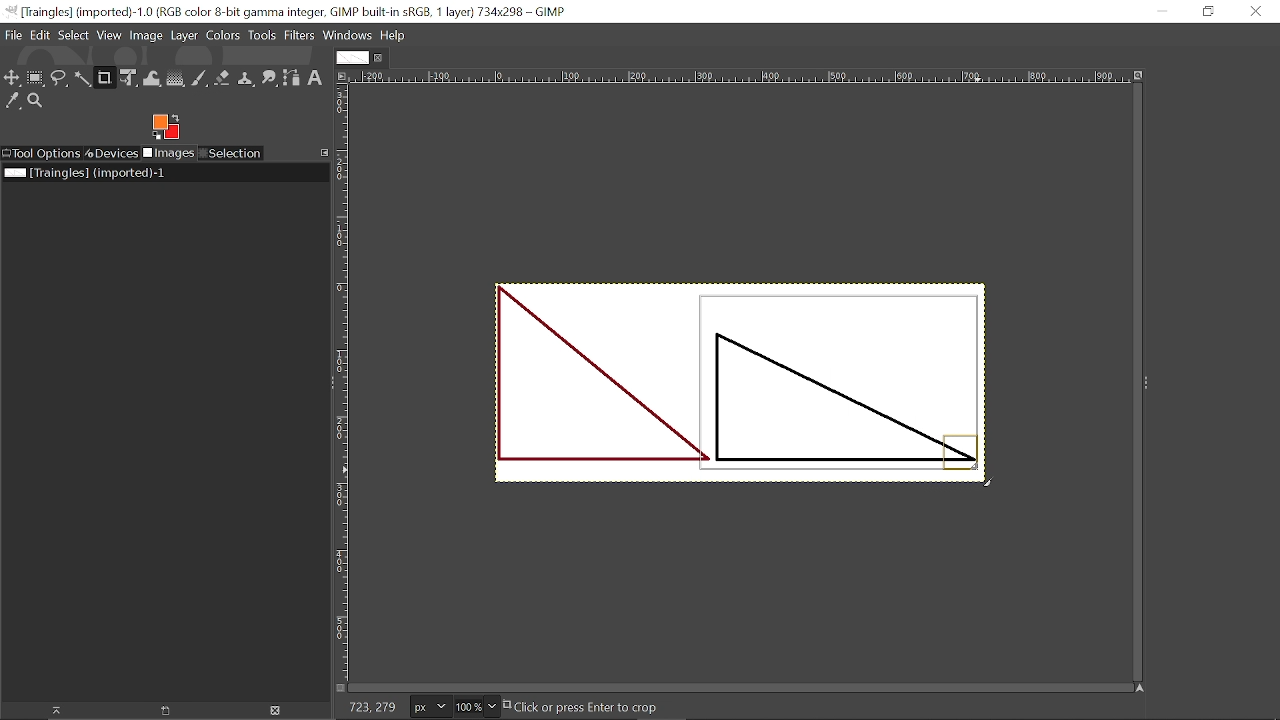 This screenshot has width=1280, height=720. I want to click on Smudge tool, so click(268, 79).